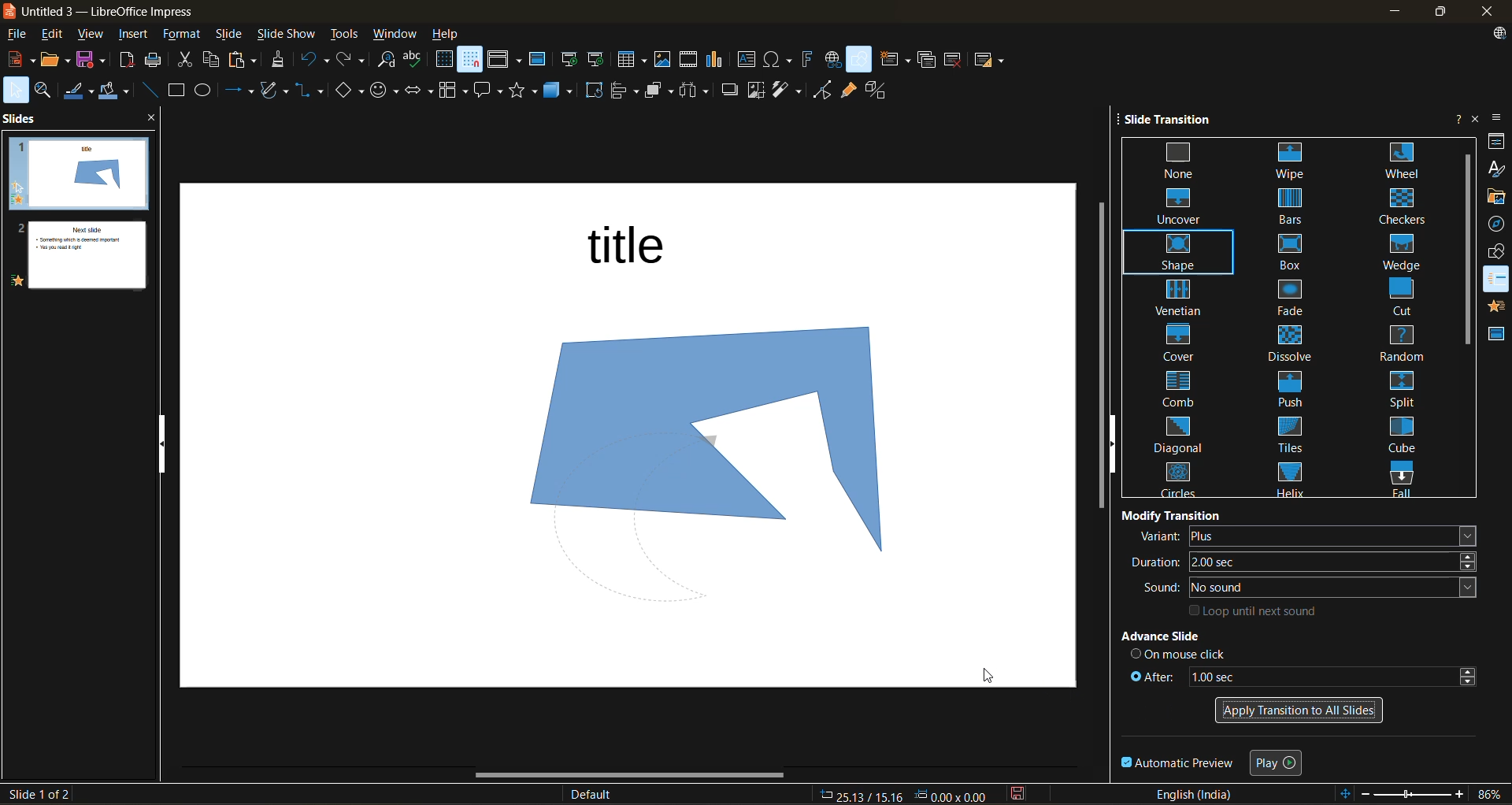  Describe the element at coordinates (177, 91) in the screenshot. I see `rectangle` at that location.